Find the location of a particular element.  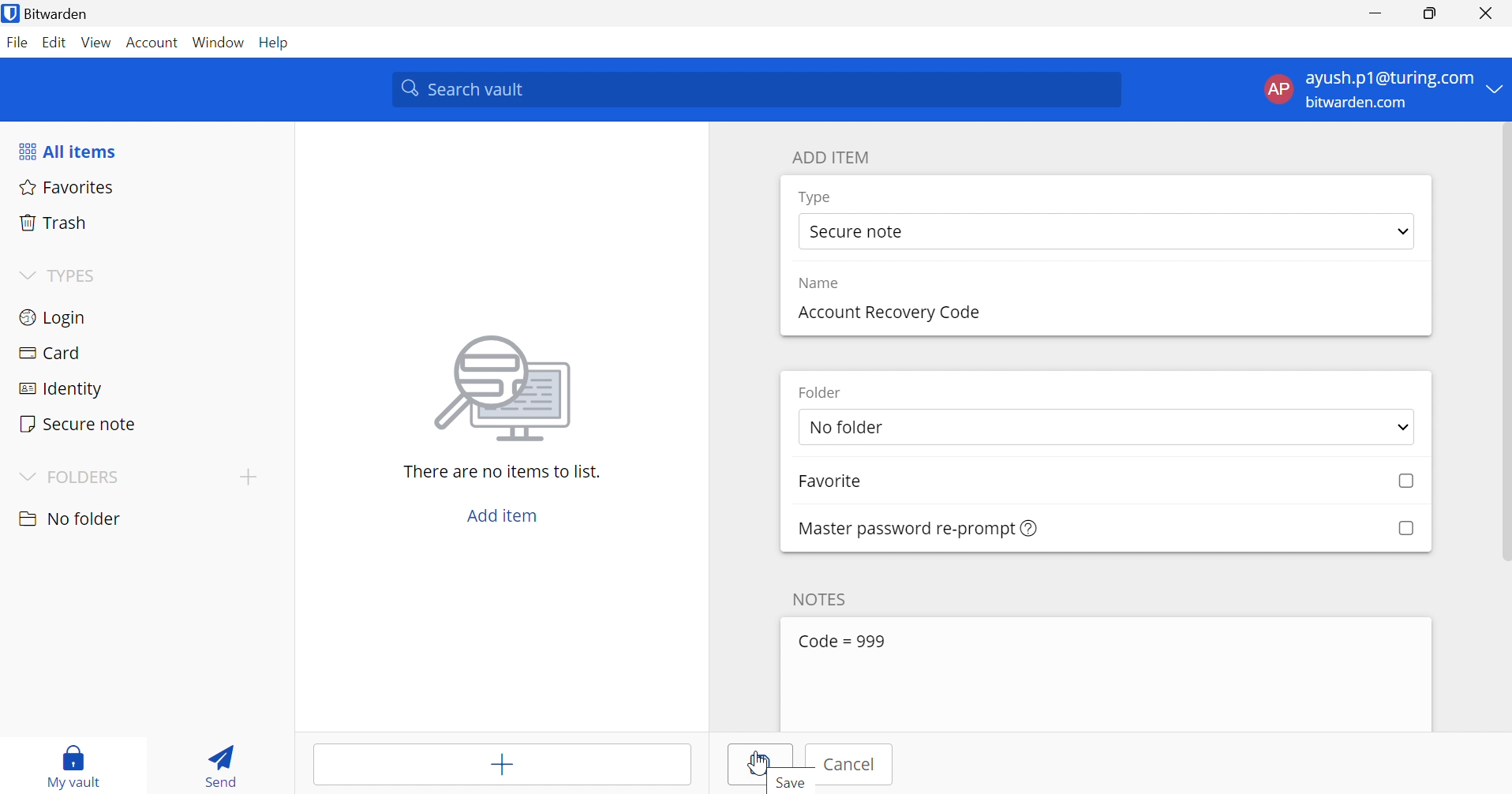

Master password re-prompt @ is located at coordinates (898, 527).